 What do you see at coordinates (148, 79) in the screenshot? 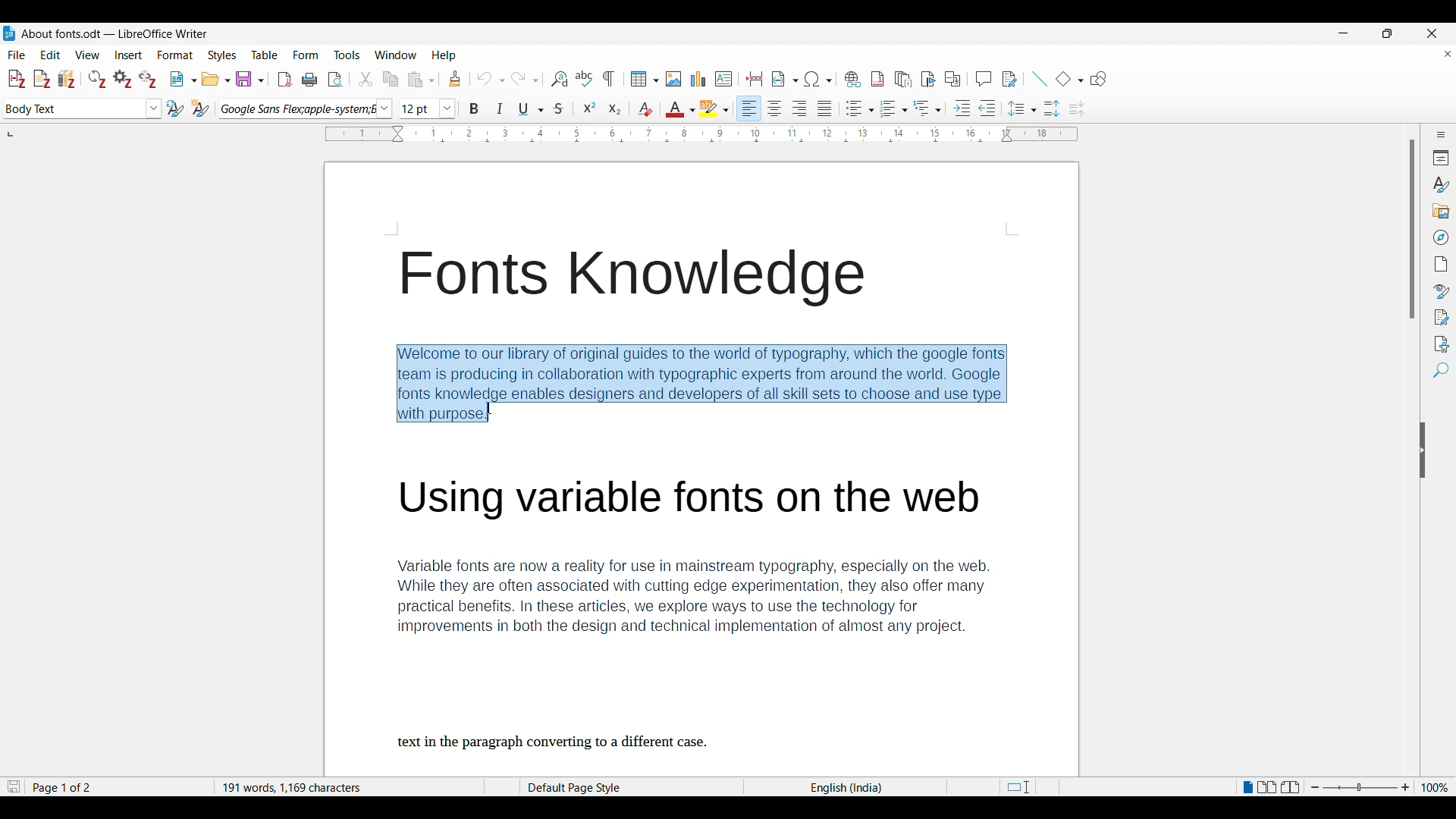
I see `Unlink citations` at bounding box center [148, 79].